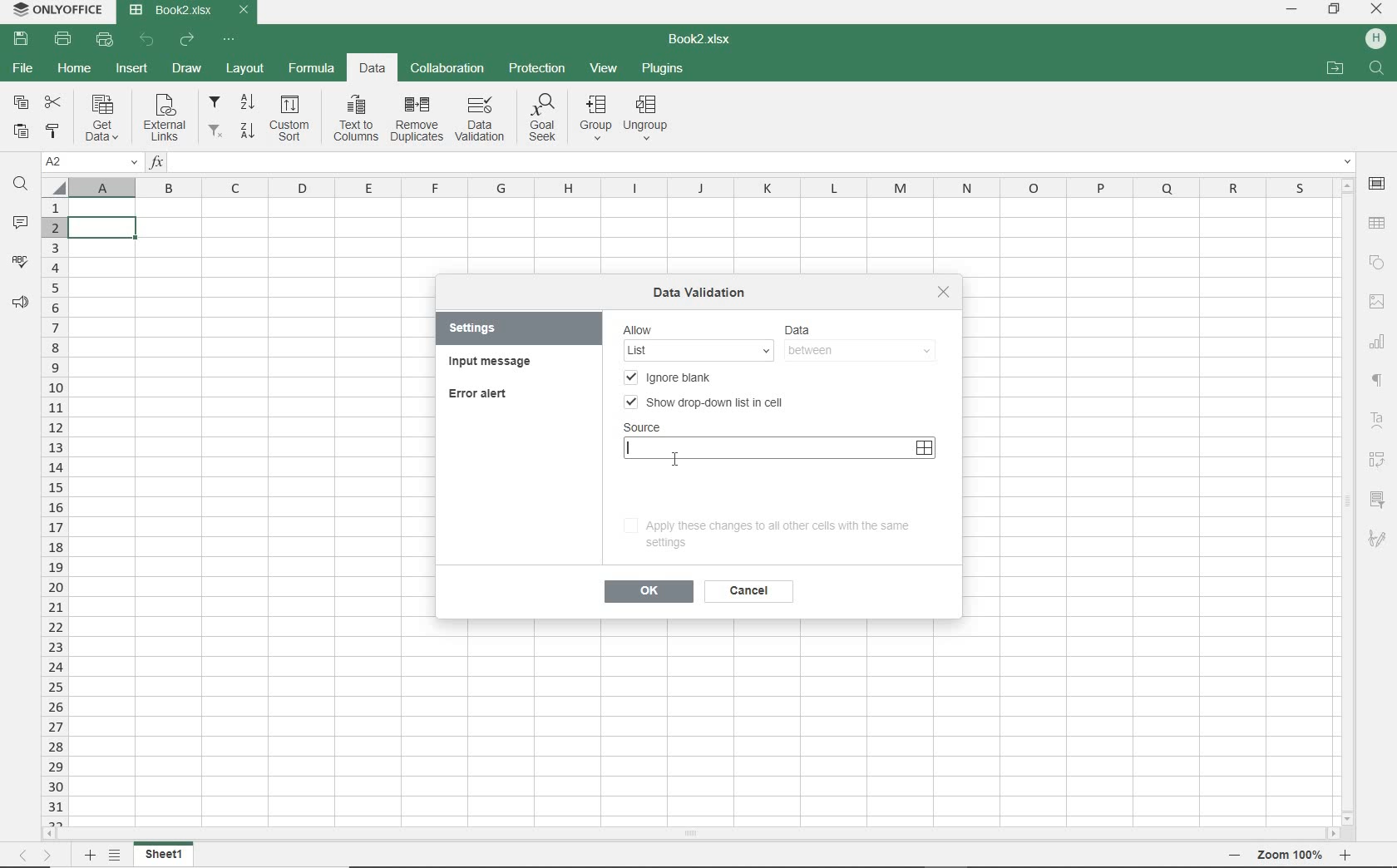 This screenshot has height=868, width=1397. Describe the element at coordinates (292, 118) in the screenshot. I see `custom sort` at that location.